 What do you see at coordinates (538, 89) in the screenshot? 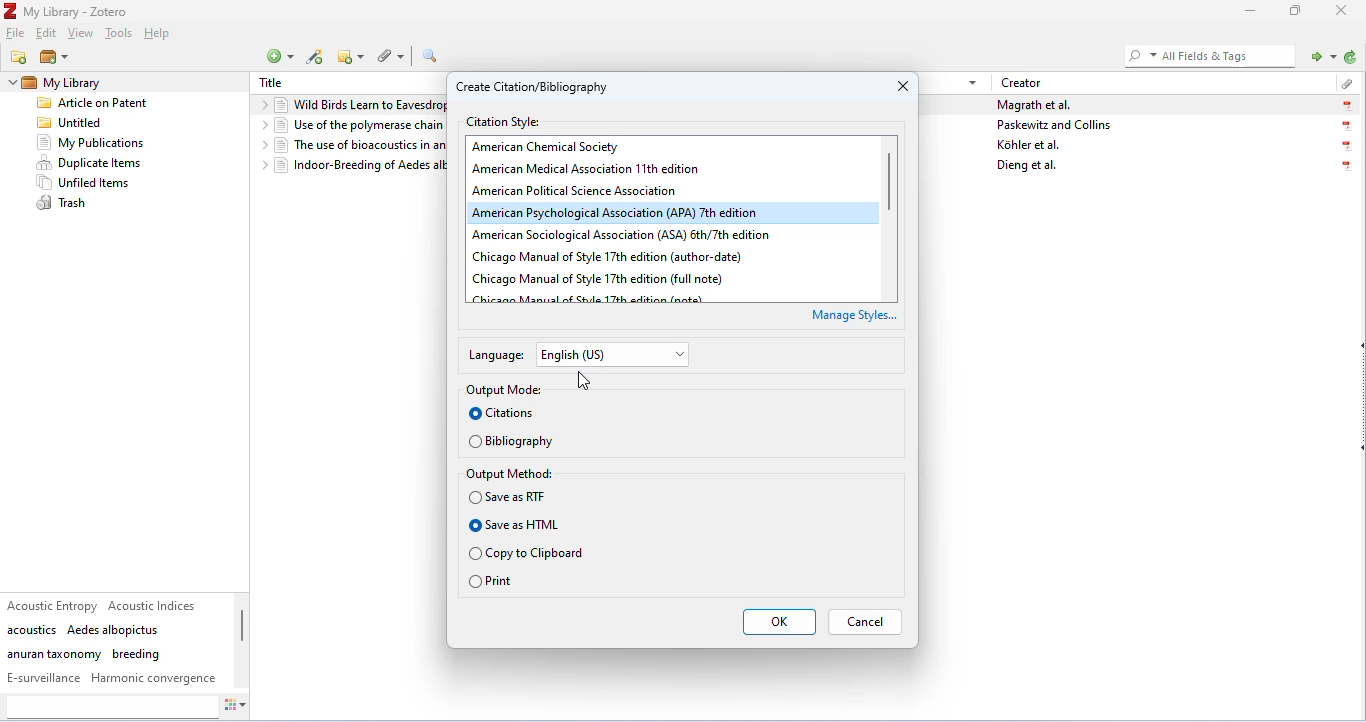
I see `create citation/ bibliography` at bounding box center [538, 89].